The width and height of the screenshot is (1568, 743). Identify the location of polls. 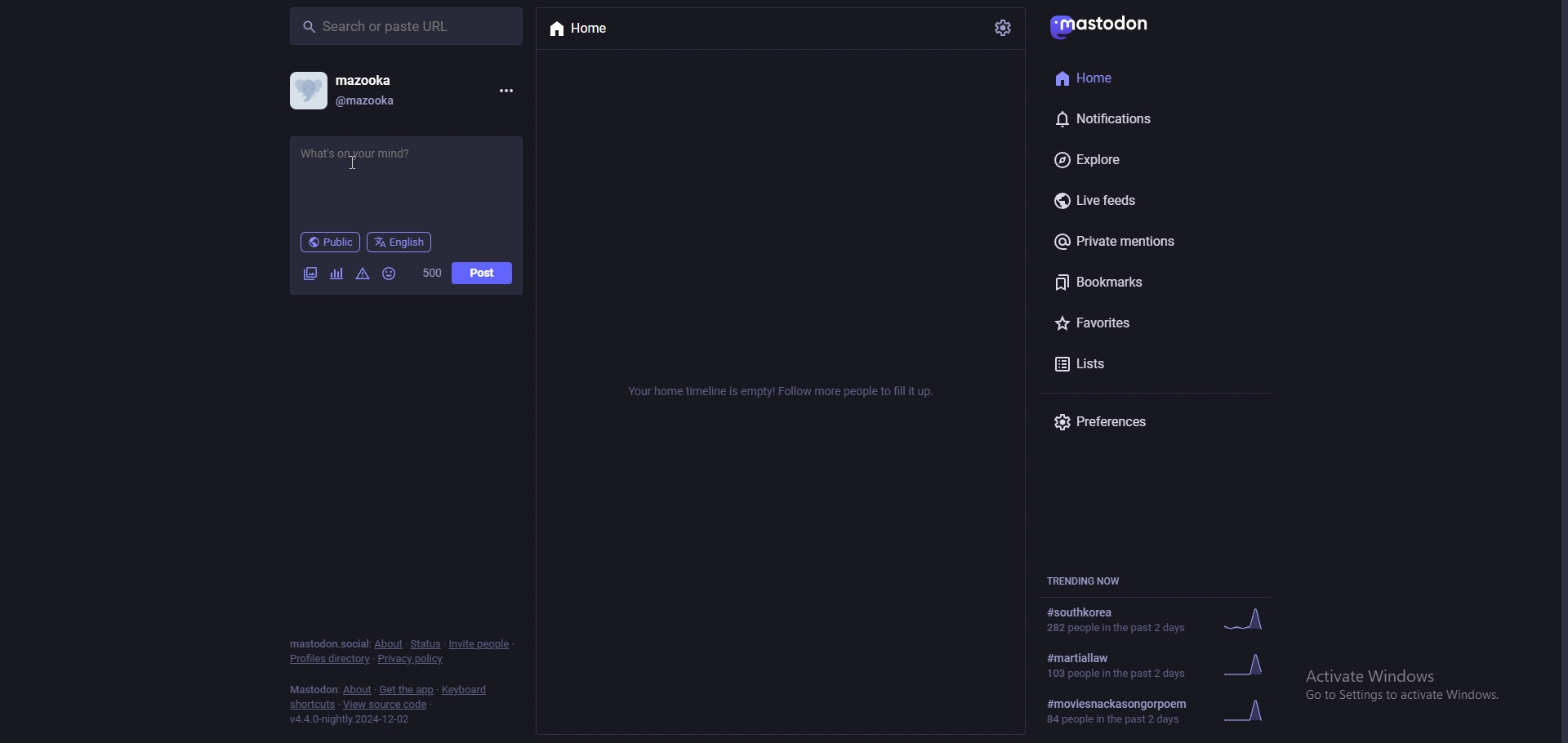
(336, 274).